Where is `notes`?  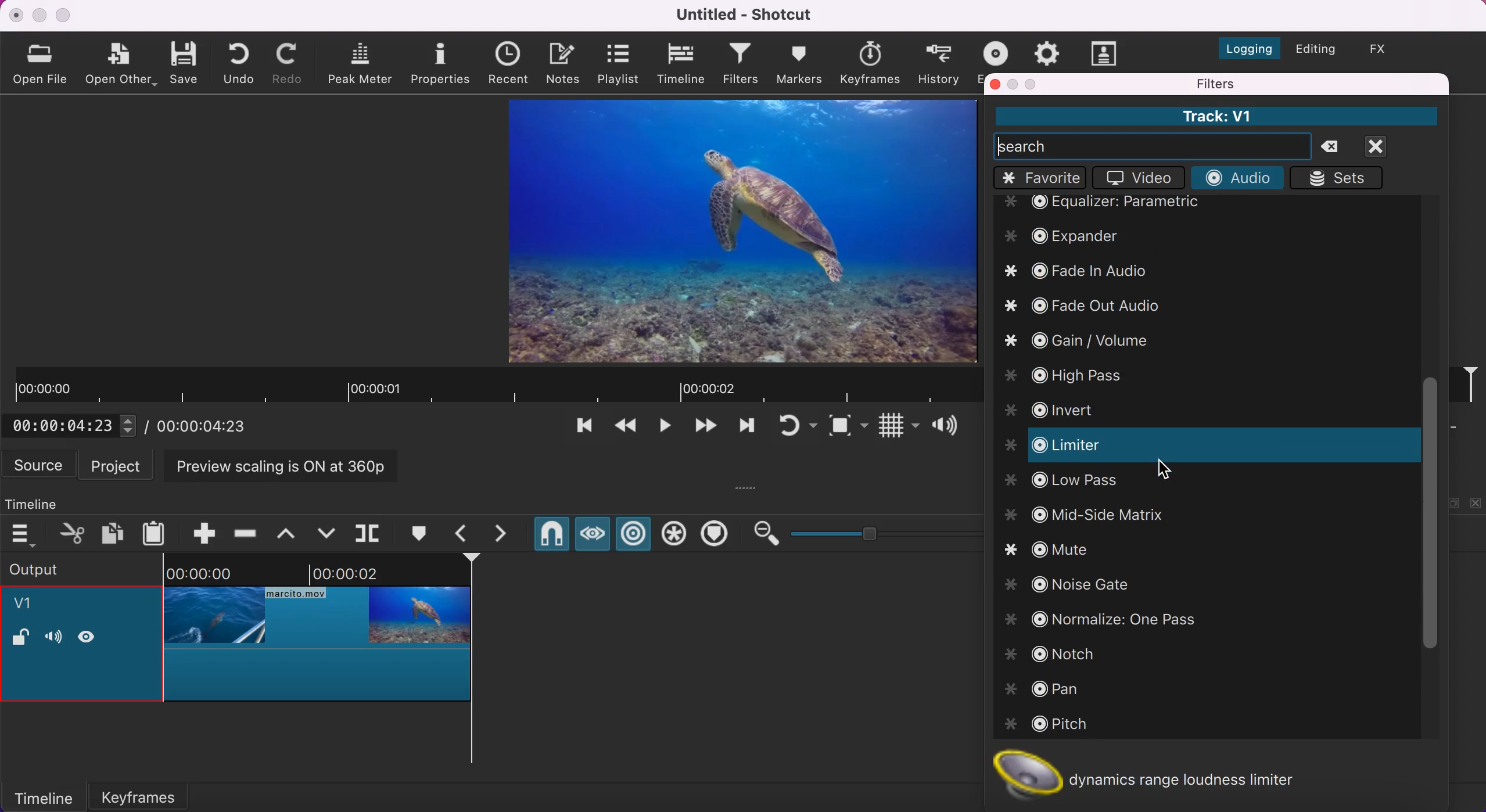
notes is located at coordinates (566, 62).